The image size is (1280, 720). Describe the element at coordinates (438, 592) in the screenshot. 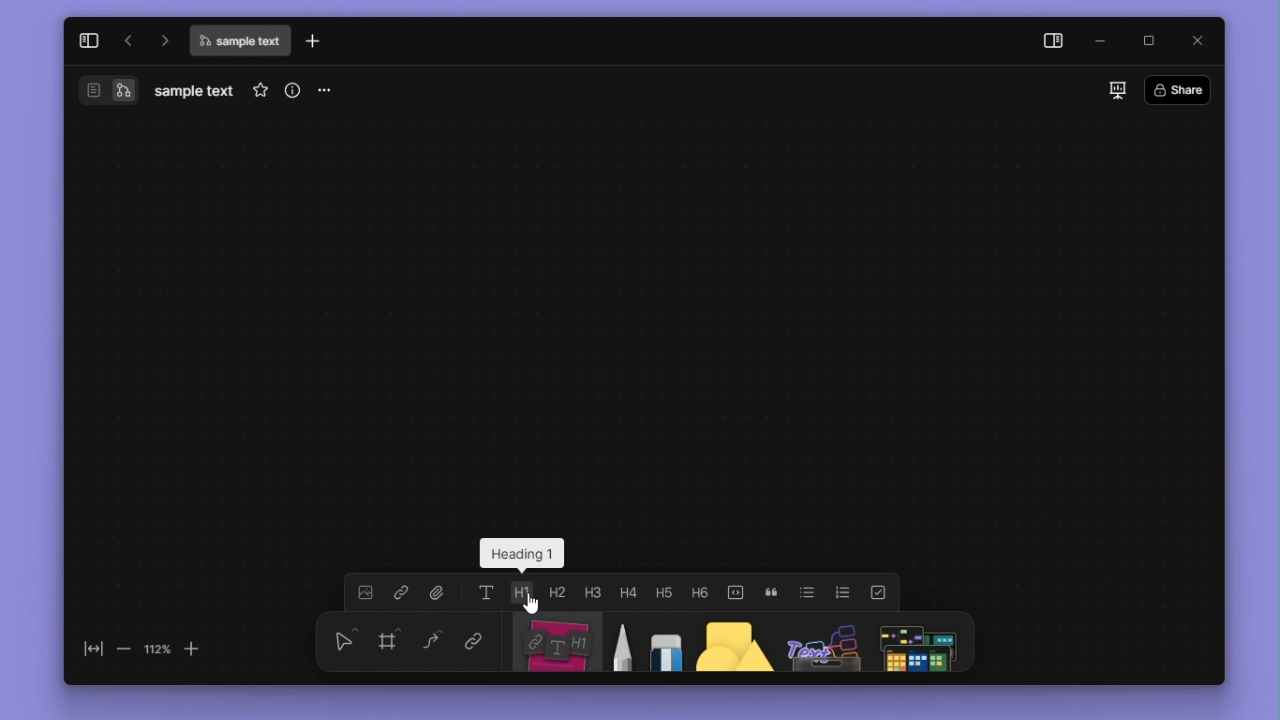

I see `file` at that location.